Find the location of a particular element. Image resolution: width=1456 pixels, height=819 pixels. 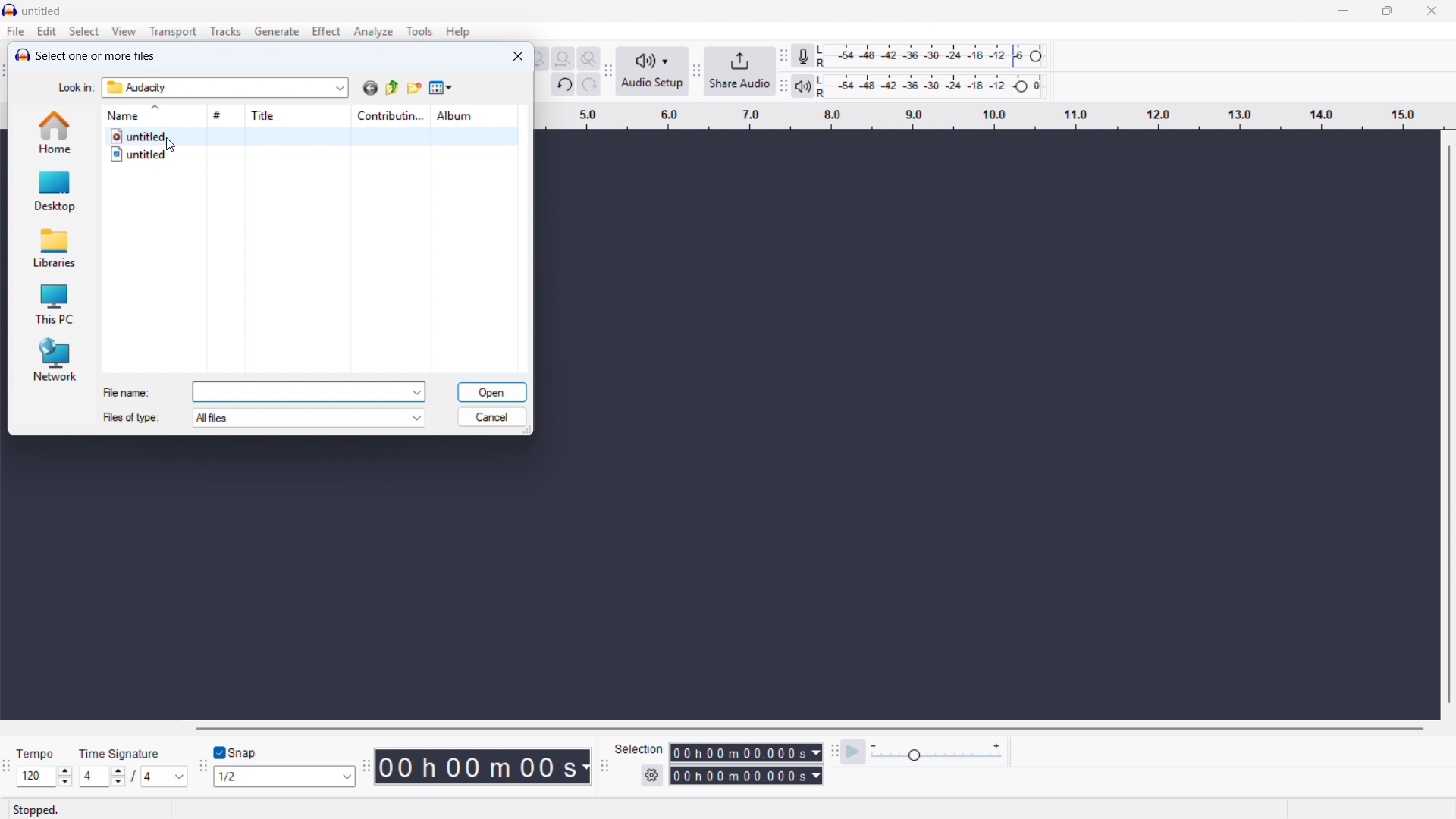

Recording metre  is located at coordinates (802, 56).